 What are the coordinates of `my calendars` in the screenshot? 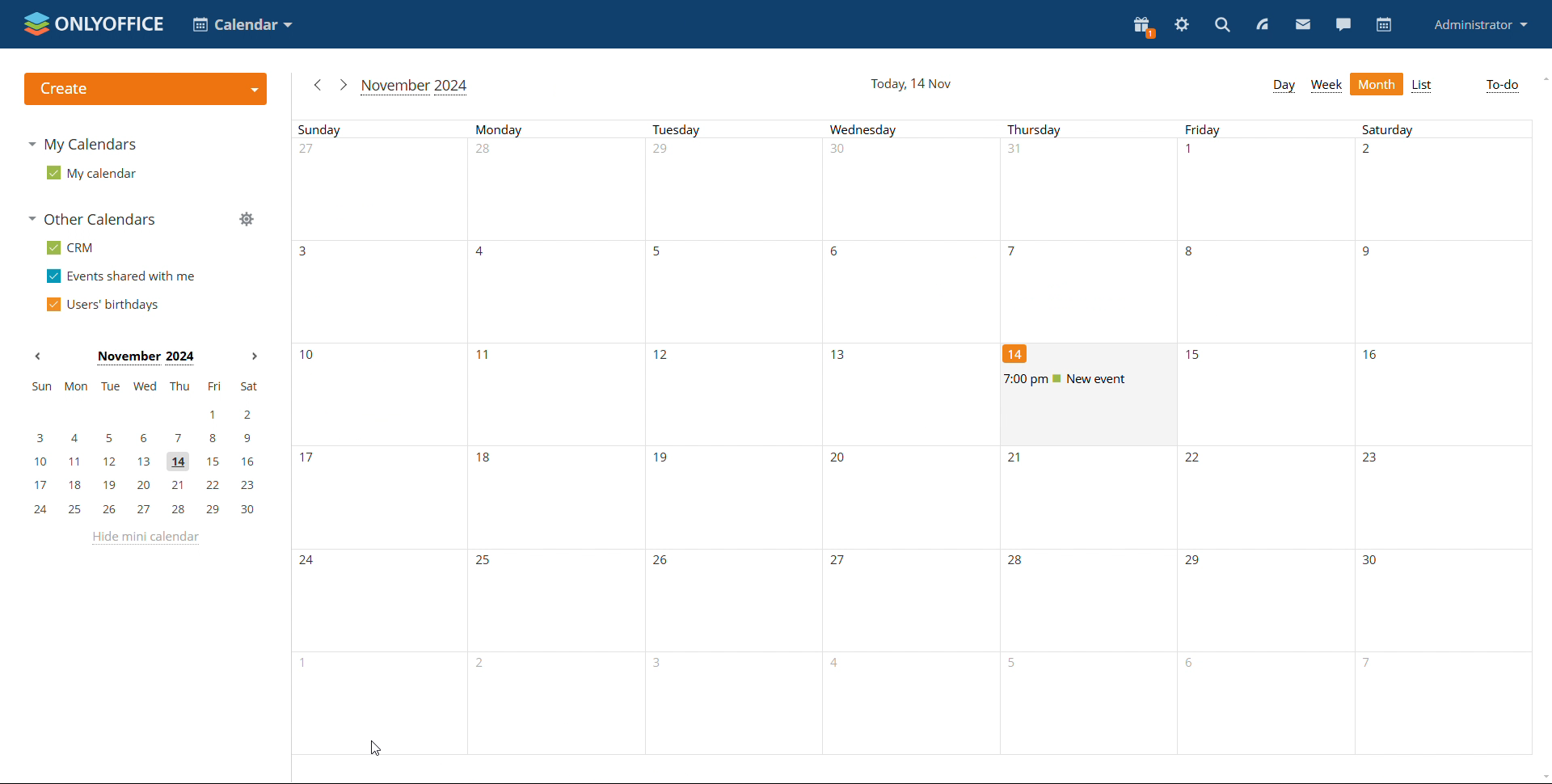 It's located at (82, 145).